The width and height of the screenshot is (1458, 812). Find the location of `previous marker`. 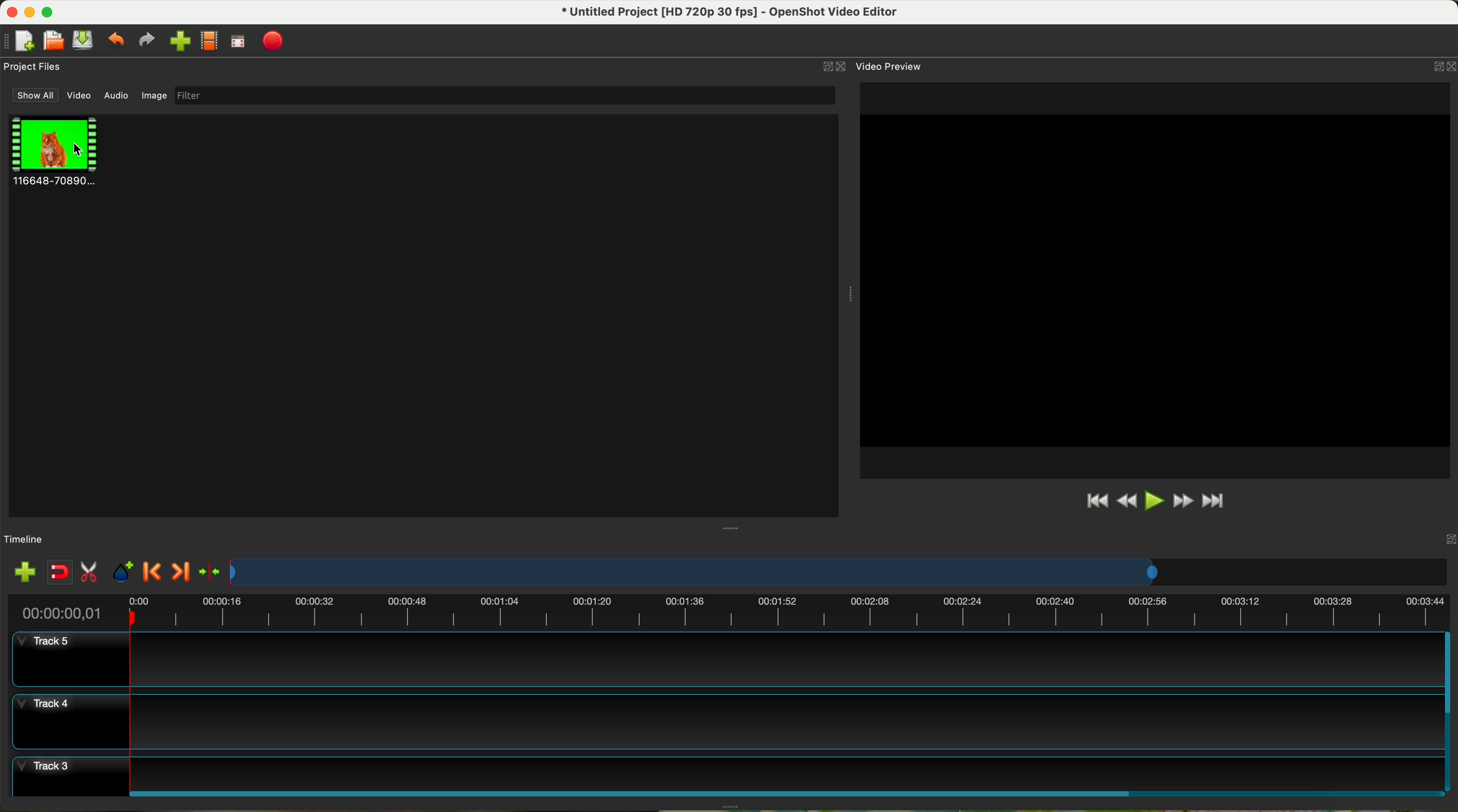

previous marker is located at coordinates (153, 572).